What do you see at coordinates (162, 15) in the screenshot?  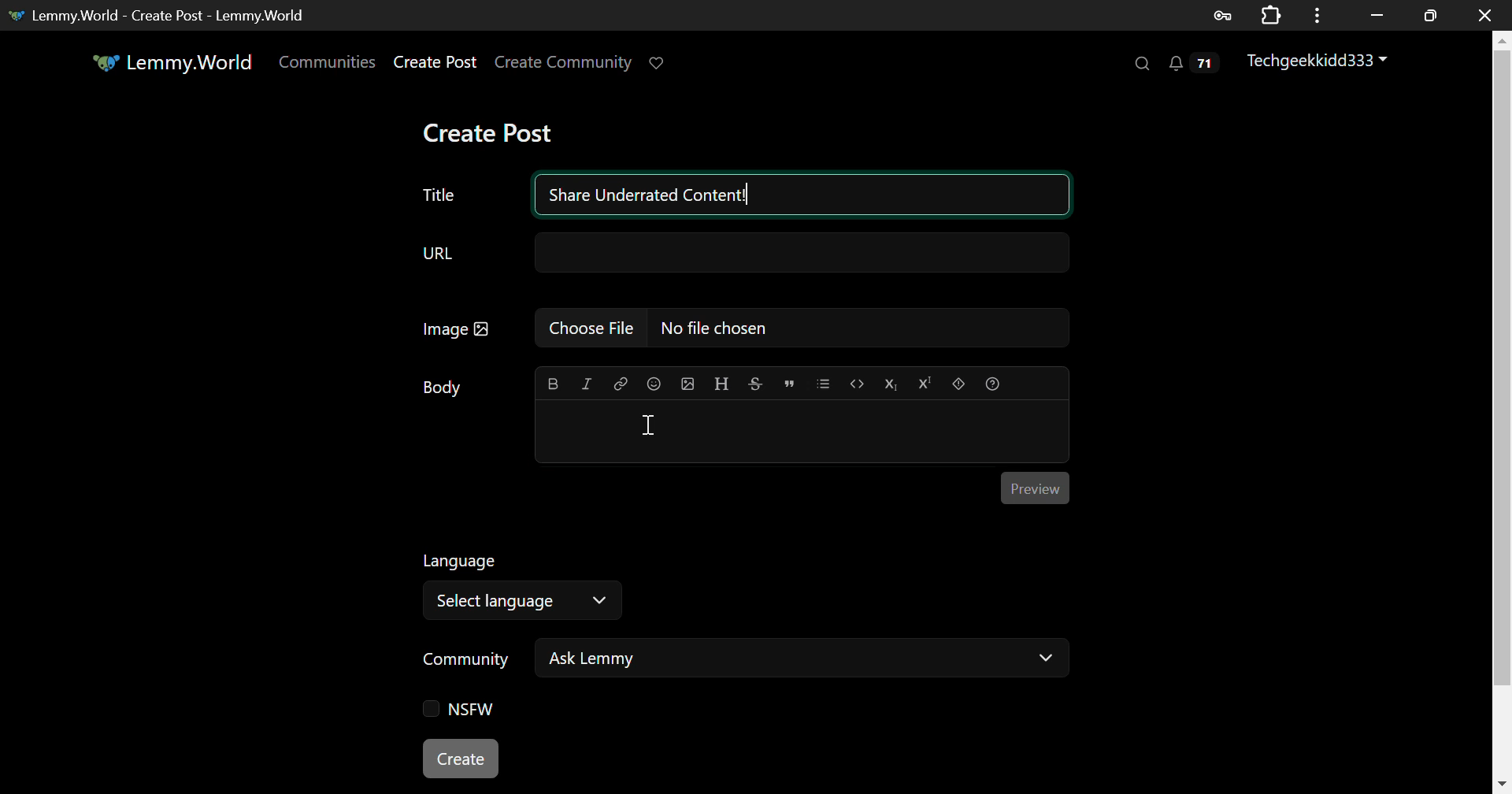 I see `Lemmy.World - Create Post - Lemmy.World` at bounding box center [162, 15].